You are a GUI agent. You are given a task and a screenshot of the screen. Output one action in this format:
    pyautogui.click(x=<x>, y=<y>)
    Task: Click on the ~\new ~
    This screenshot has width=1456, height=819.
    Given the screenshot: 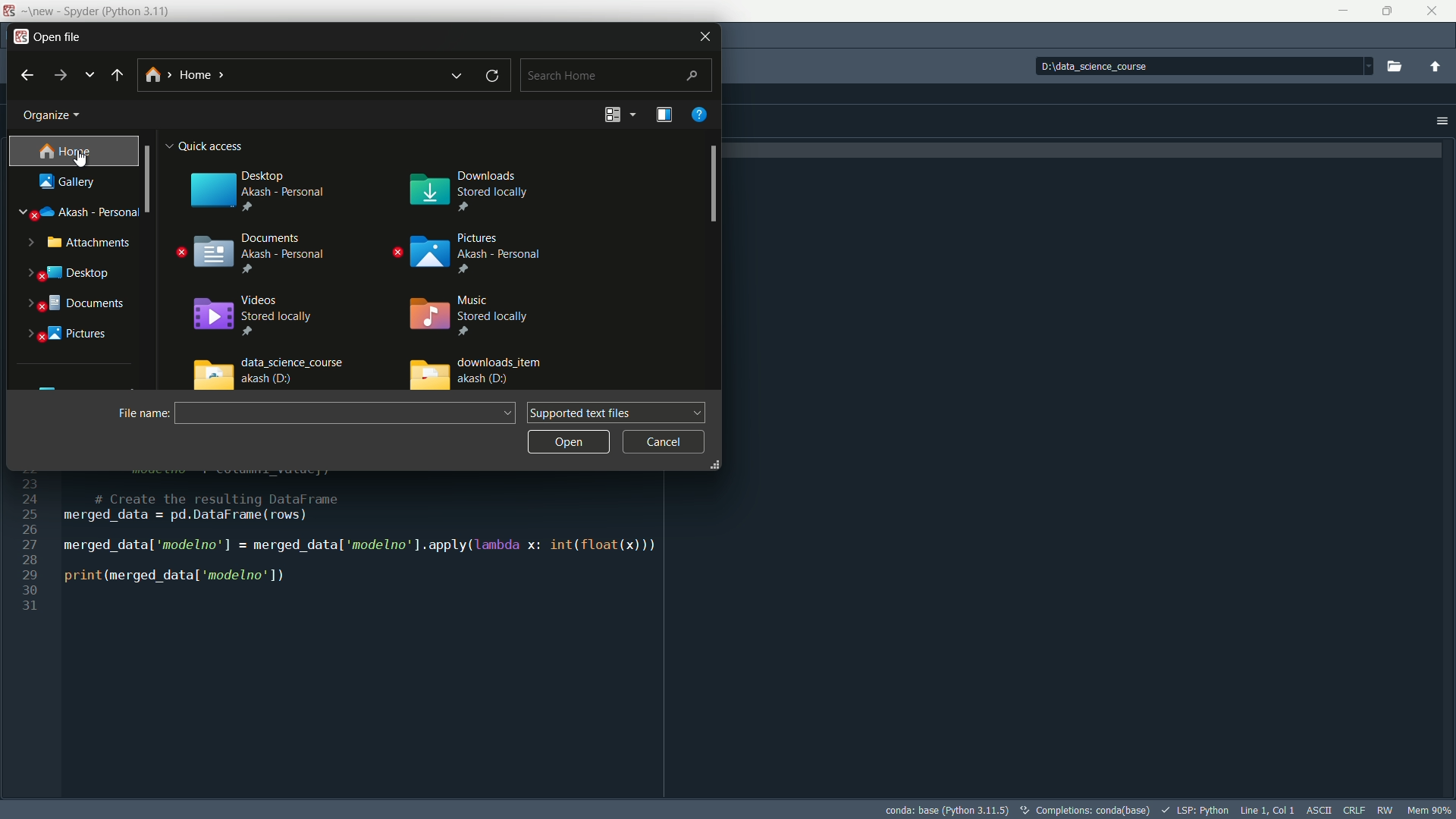 What is the action you would take?
    pyautogui.click(x=39, y=10)
    